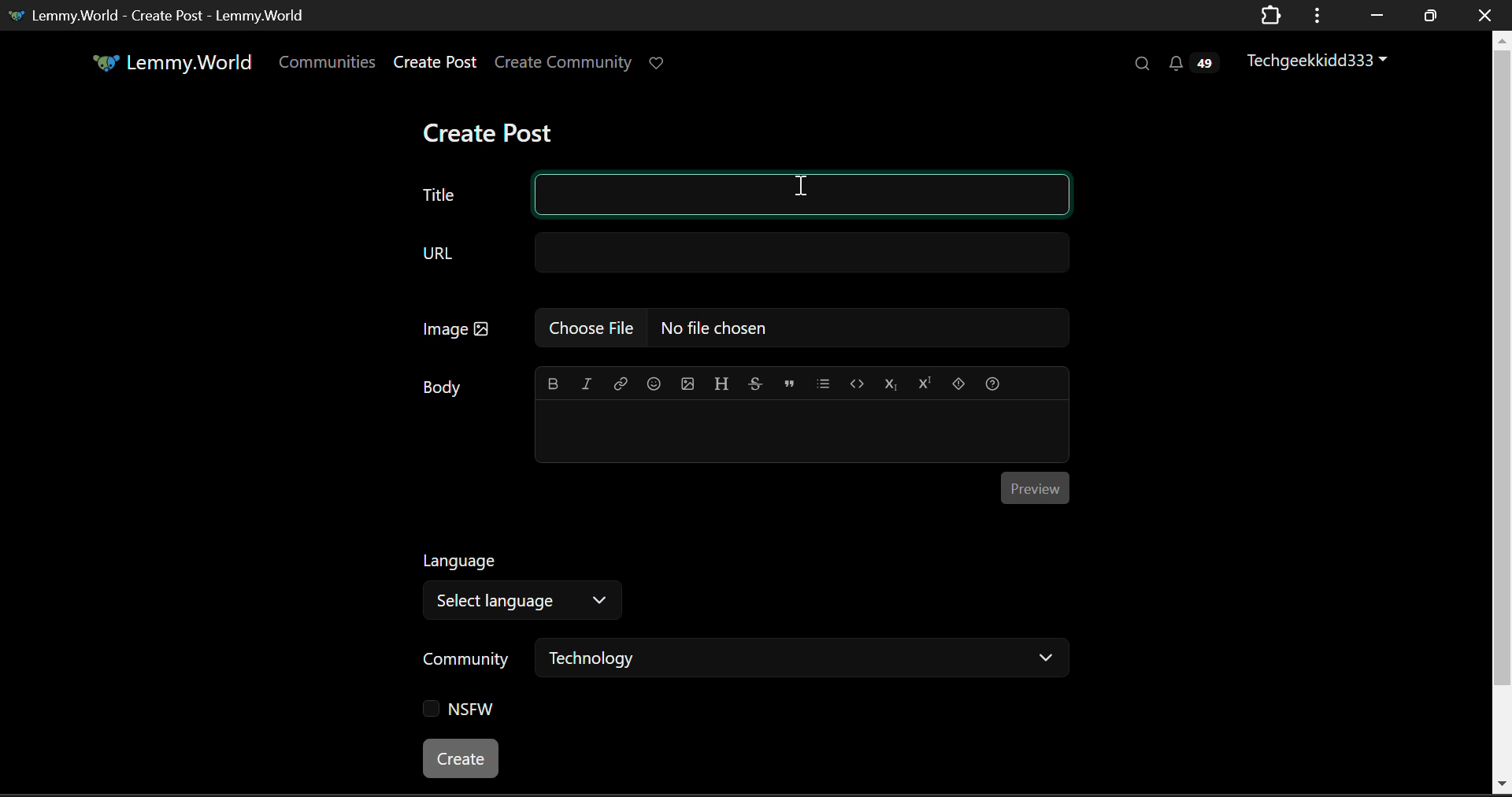 The image size is (1512, 797). I want to click on Notifications, so click(1197, 61).